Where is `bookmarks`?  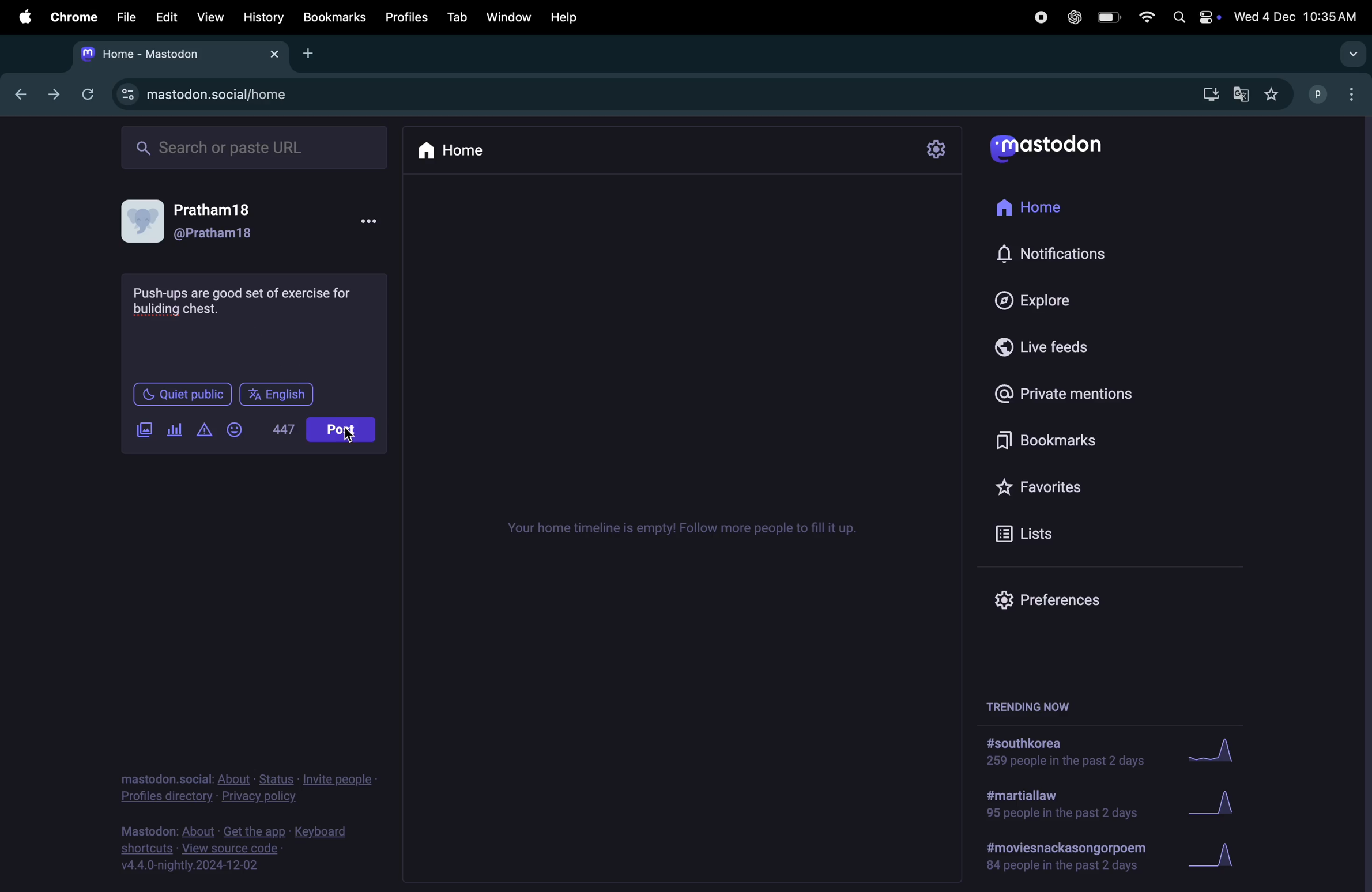
bookmarks is located at coordinates (1039, 439).